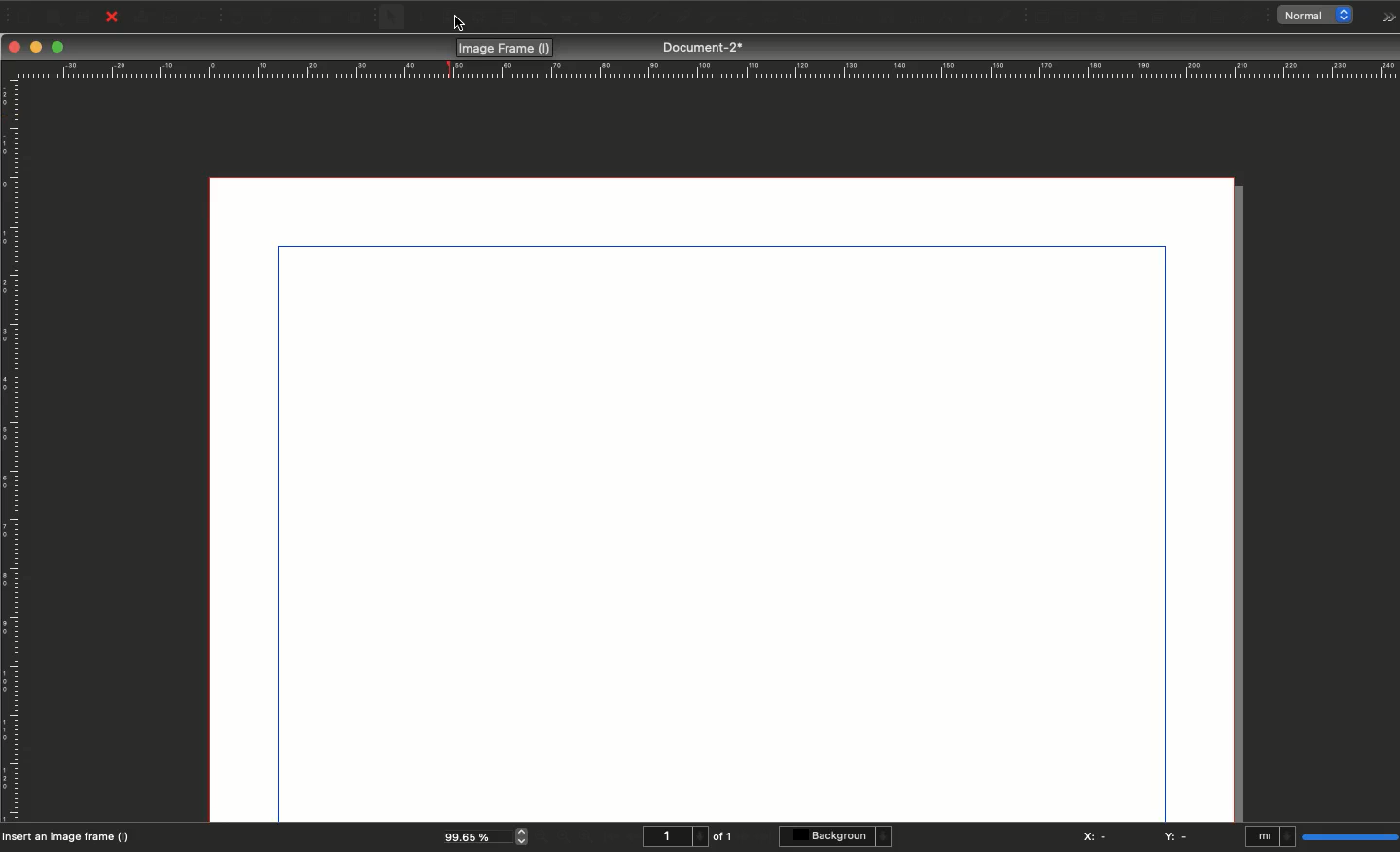  What do you see at coordinates (507, 18) in the screenshot?
I see `Table` at bounding box center [507, 18].